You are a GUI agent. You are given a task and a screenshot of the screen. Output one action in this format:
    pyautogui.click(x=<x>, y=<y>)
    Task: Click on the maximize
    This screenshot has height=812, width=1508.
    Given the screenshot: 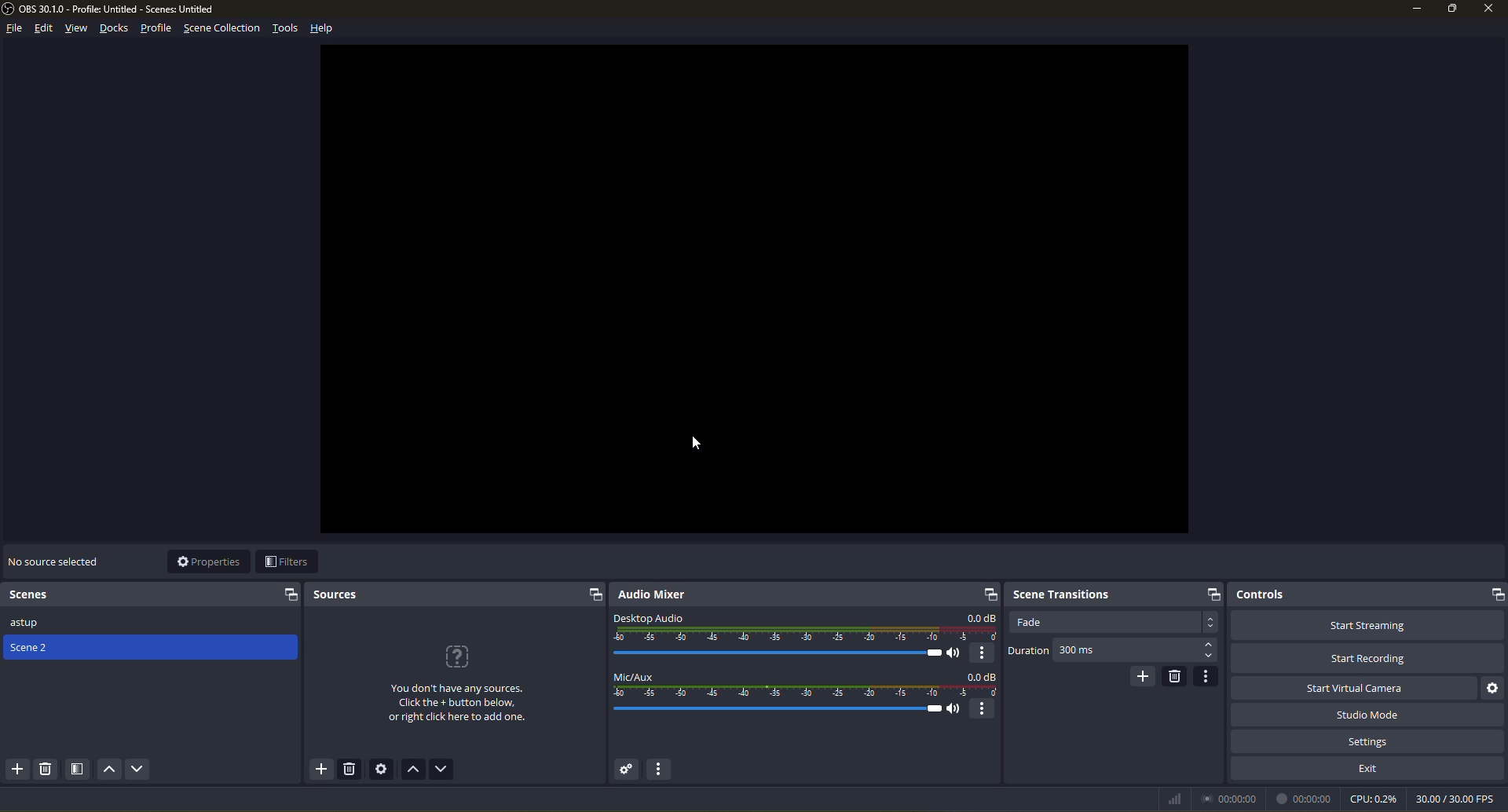 What is the action you would take?
    pyautogui.click(x=1453, y=9)
    